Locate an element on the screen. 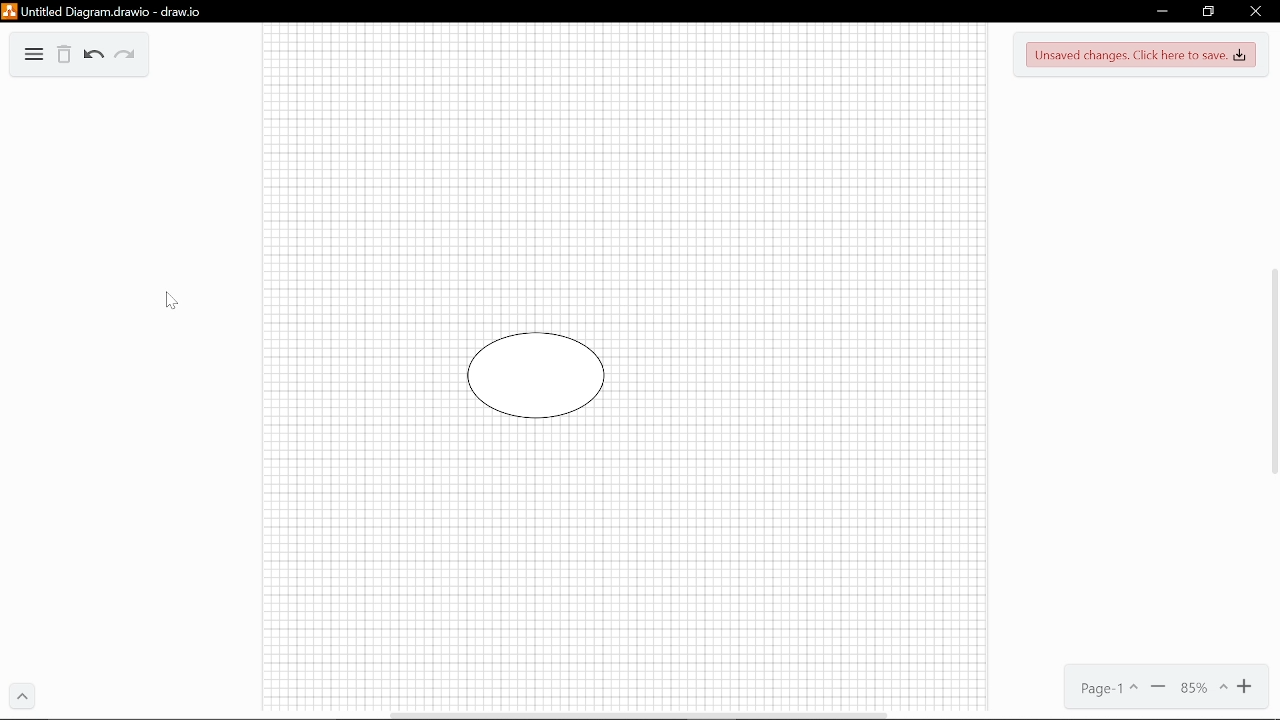  Restore down is located at coordinates (1208, 12).